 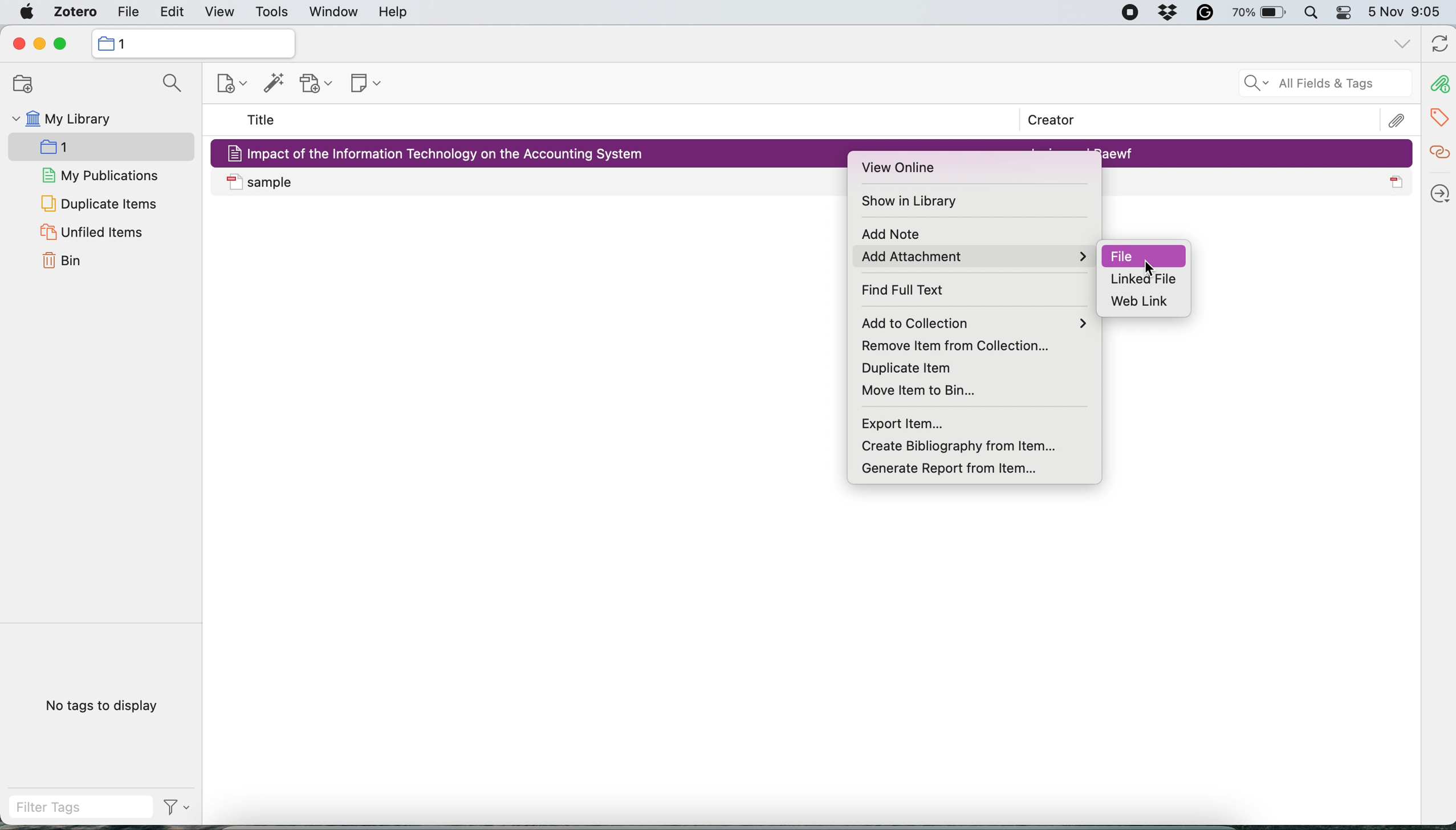 I want to click on filter tags, so click(x=100, y=807).